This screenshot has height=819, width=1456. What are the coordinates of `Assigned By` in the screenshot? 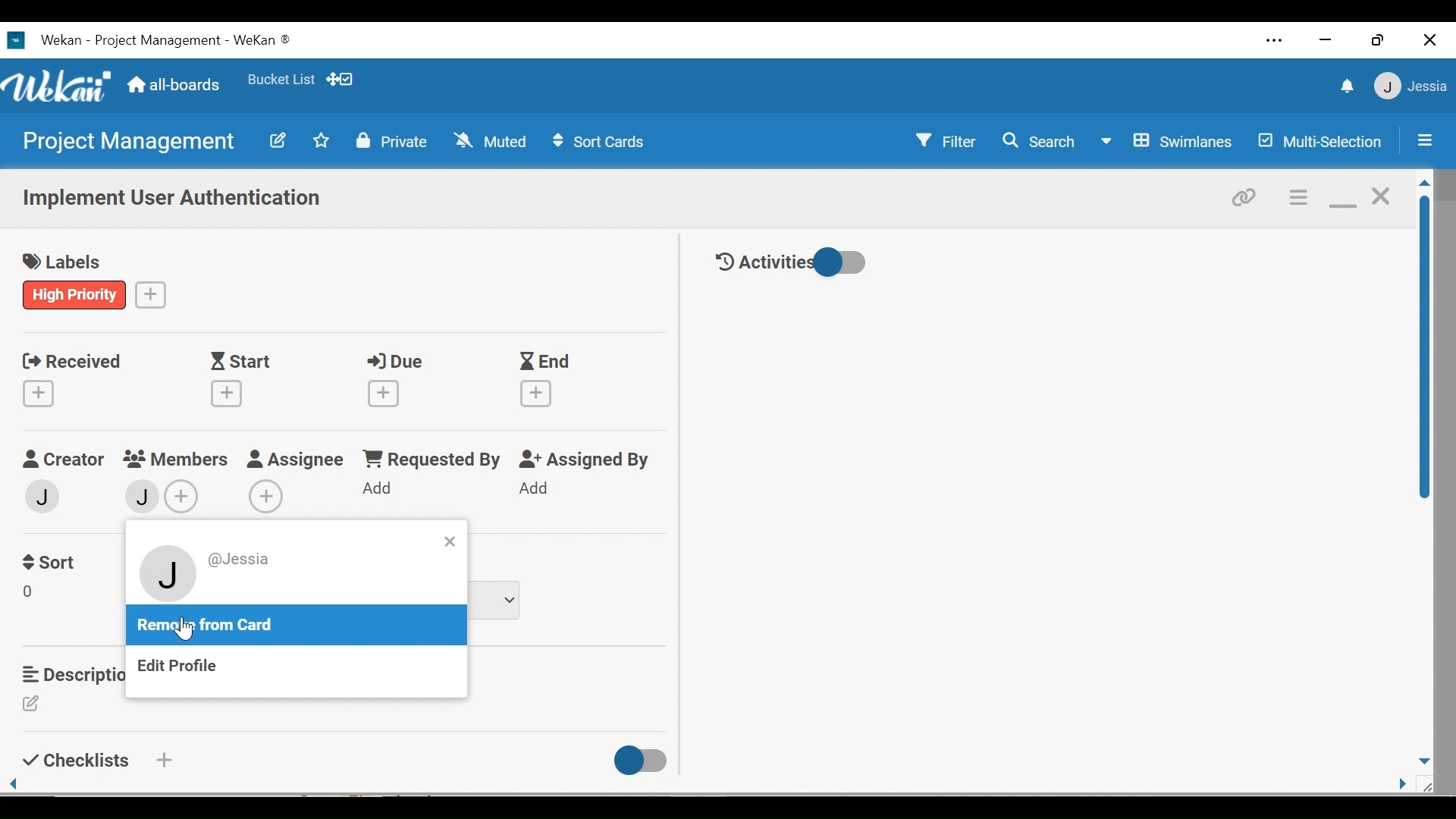 It's located at (585, 460).